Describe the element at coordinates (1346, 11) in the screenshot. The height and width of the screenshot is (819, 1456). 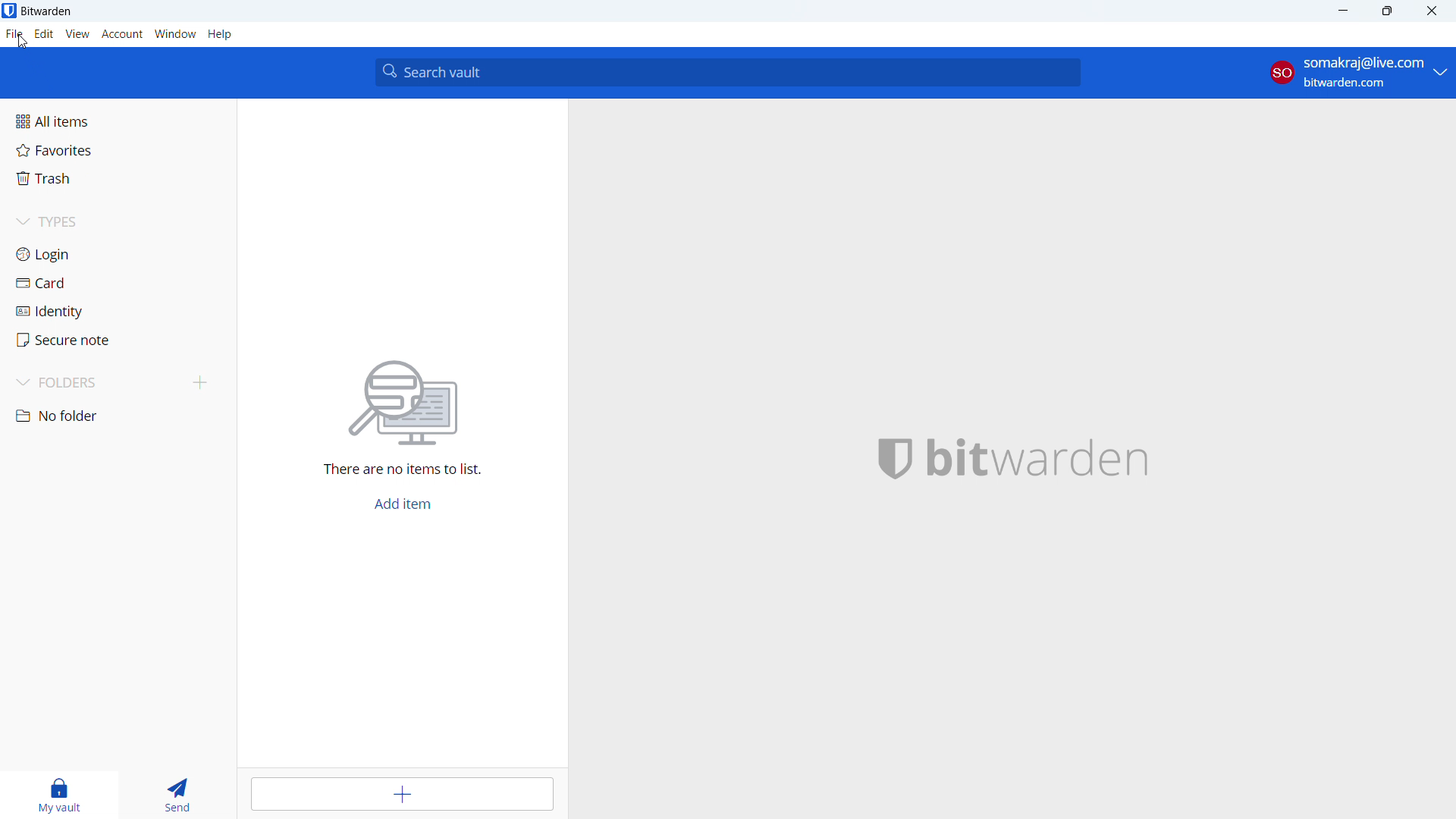
I see `minimize` at that location.